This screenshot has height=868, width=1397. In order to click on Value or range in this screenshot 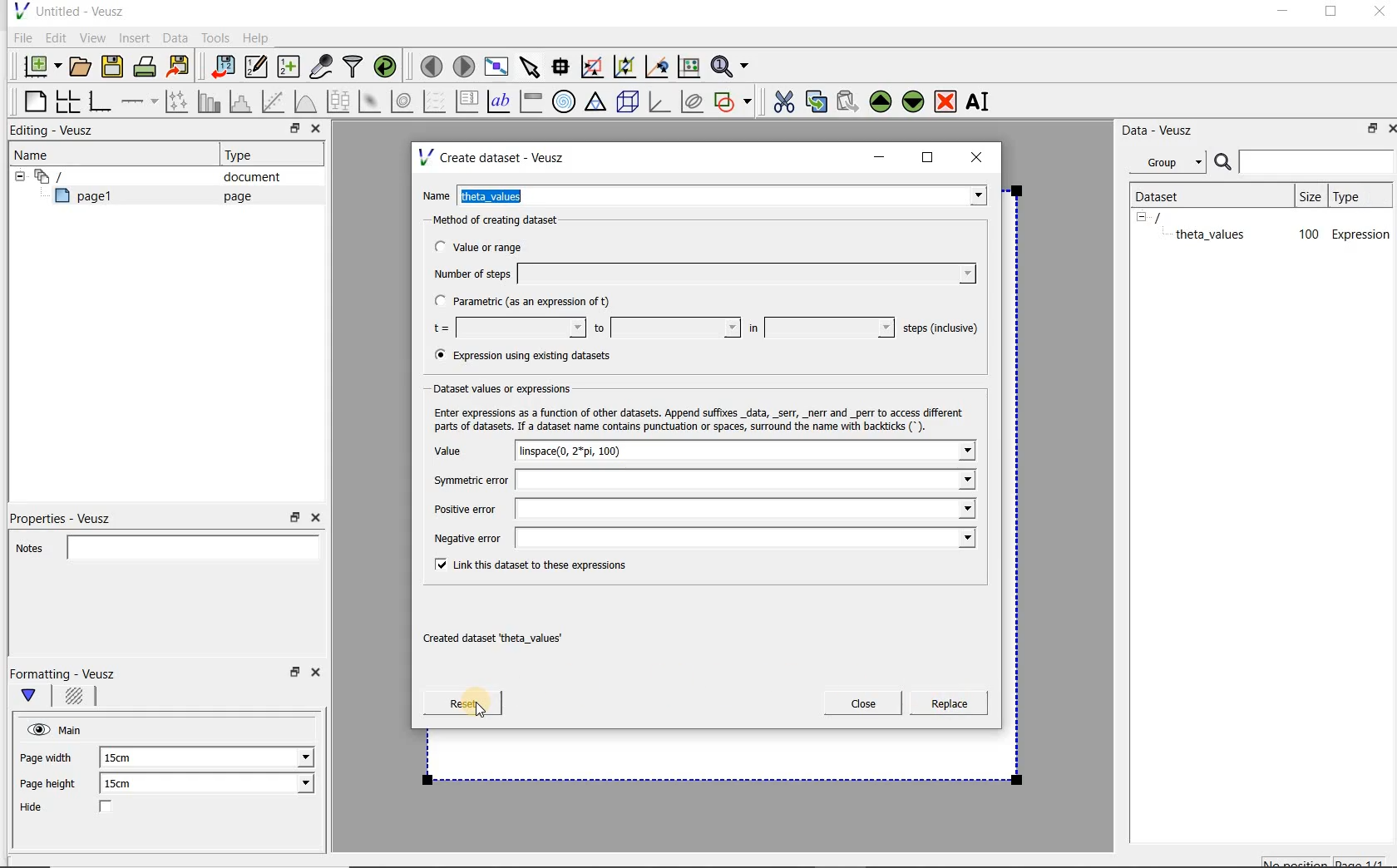, I will do `click(493, 244)`.